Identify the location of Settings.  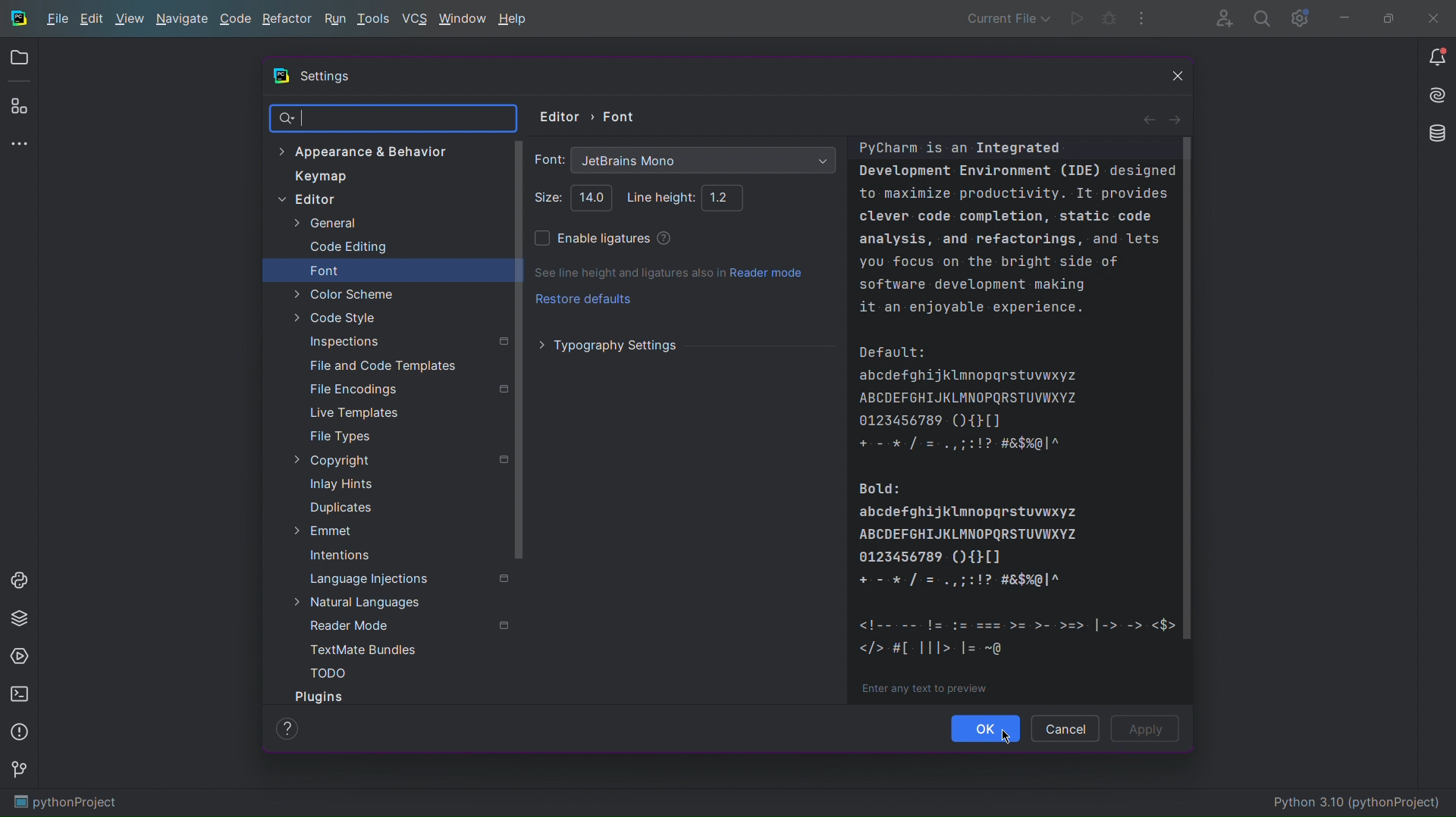
(326, 78).